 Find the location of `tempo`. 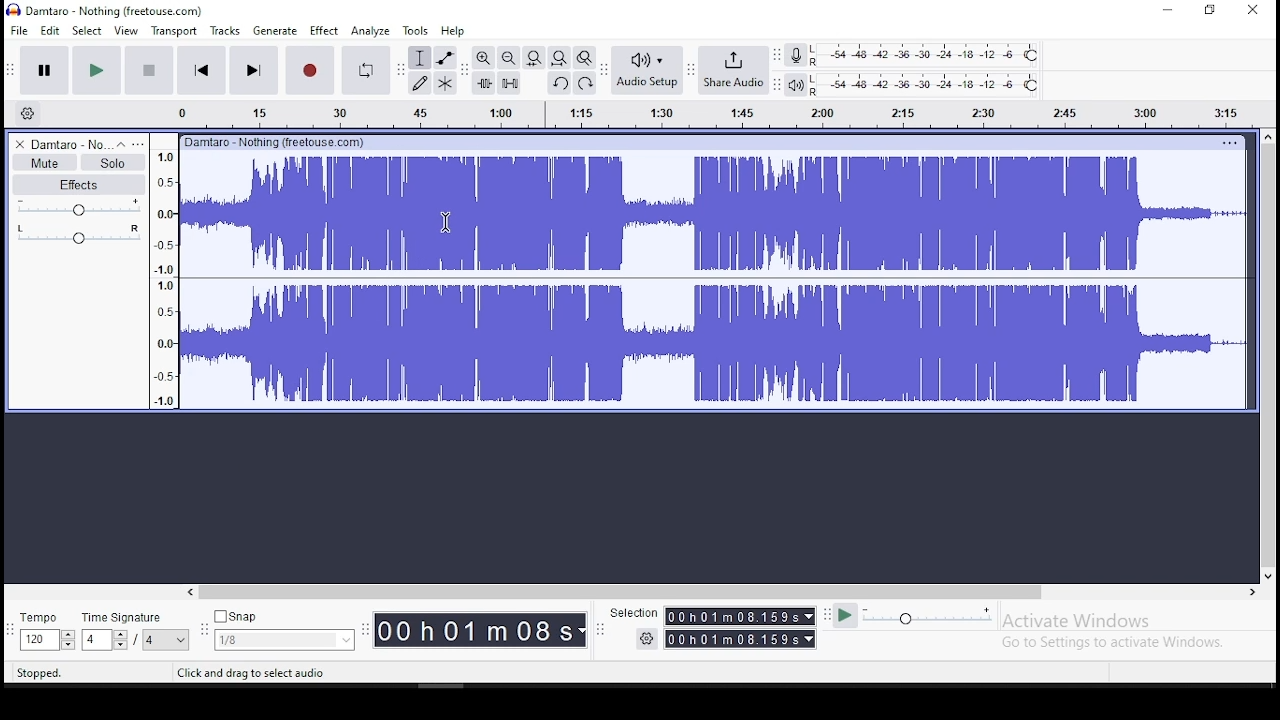

tempo is located at coordinates (48, 618).